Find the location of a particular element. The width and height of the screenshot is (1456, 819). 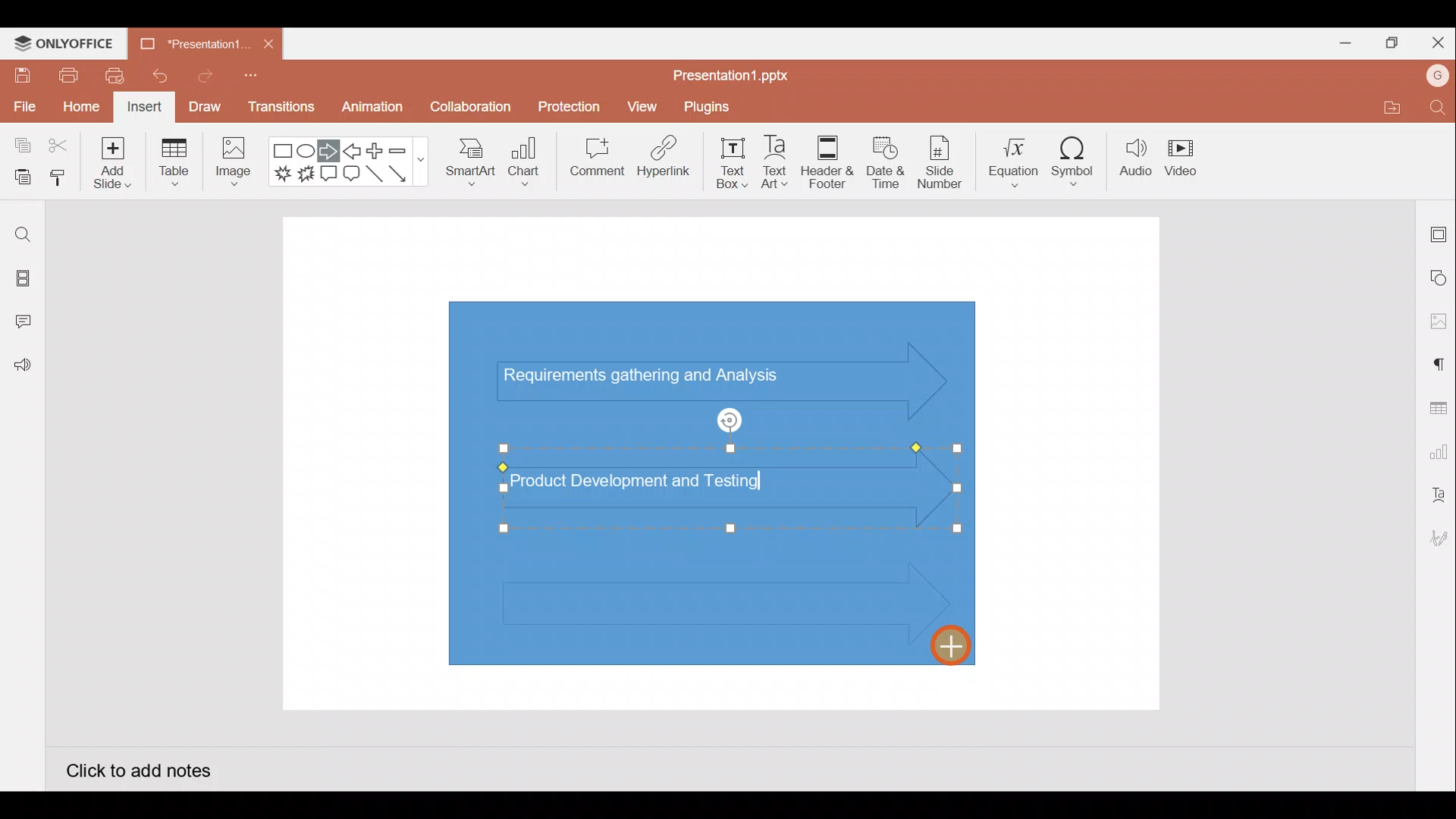

Comment is located at coordinates (591, 160).